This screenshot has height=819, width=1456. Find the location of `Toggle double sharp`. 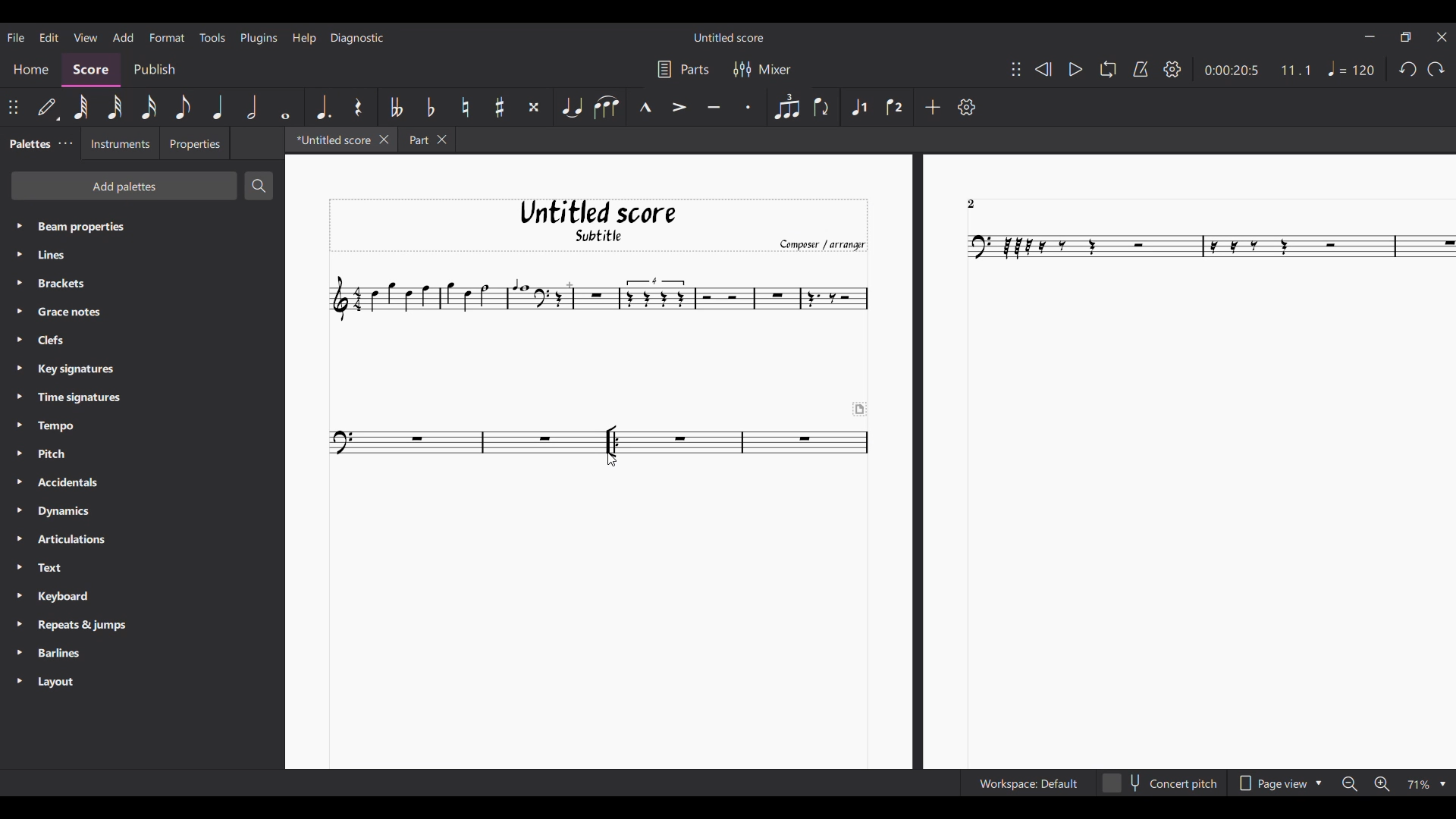

Toggle double sharp is located at coordinates (533, 108).